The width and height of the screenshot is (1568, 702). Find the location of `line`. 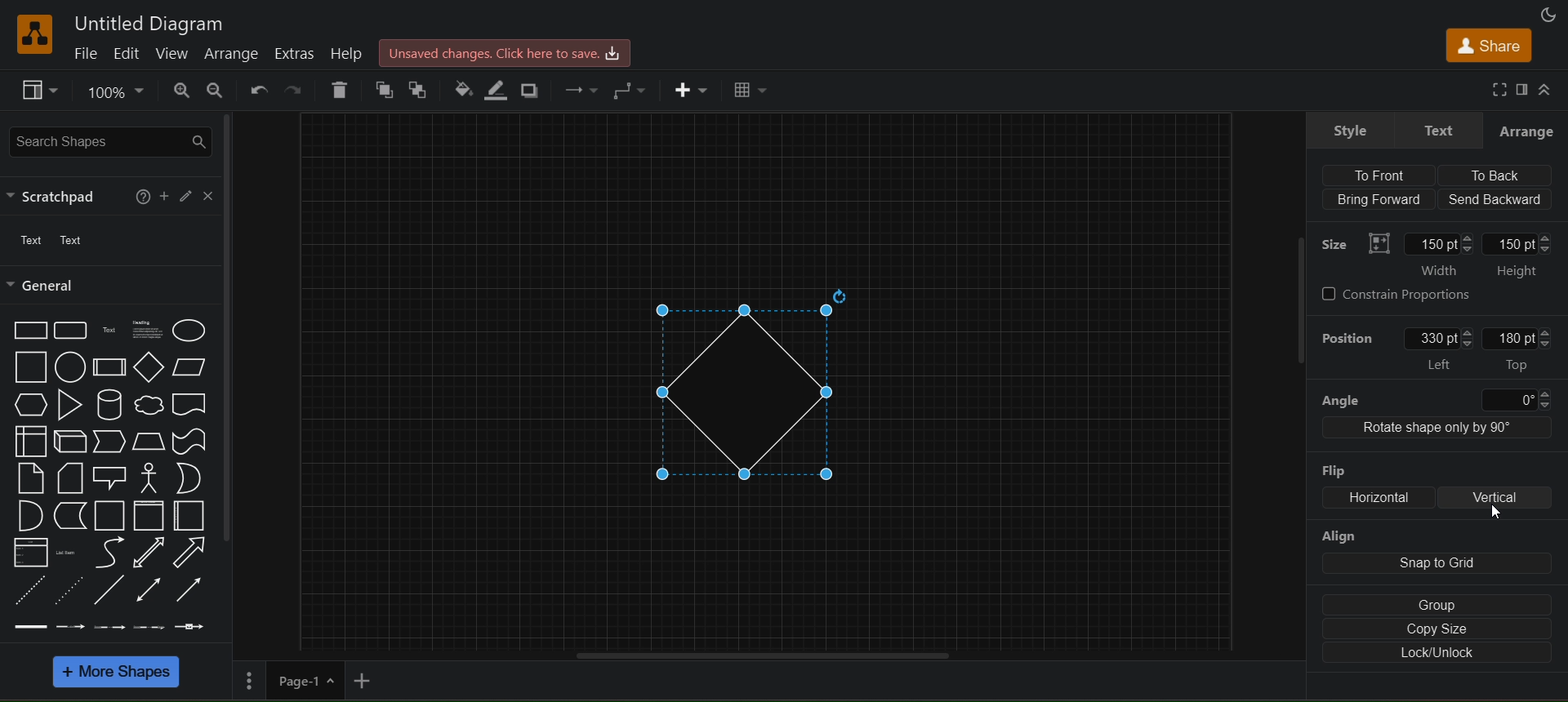

line is located at coordinates (112, 589).